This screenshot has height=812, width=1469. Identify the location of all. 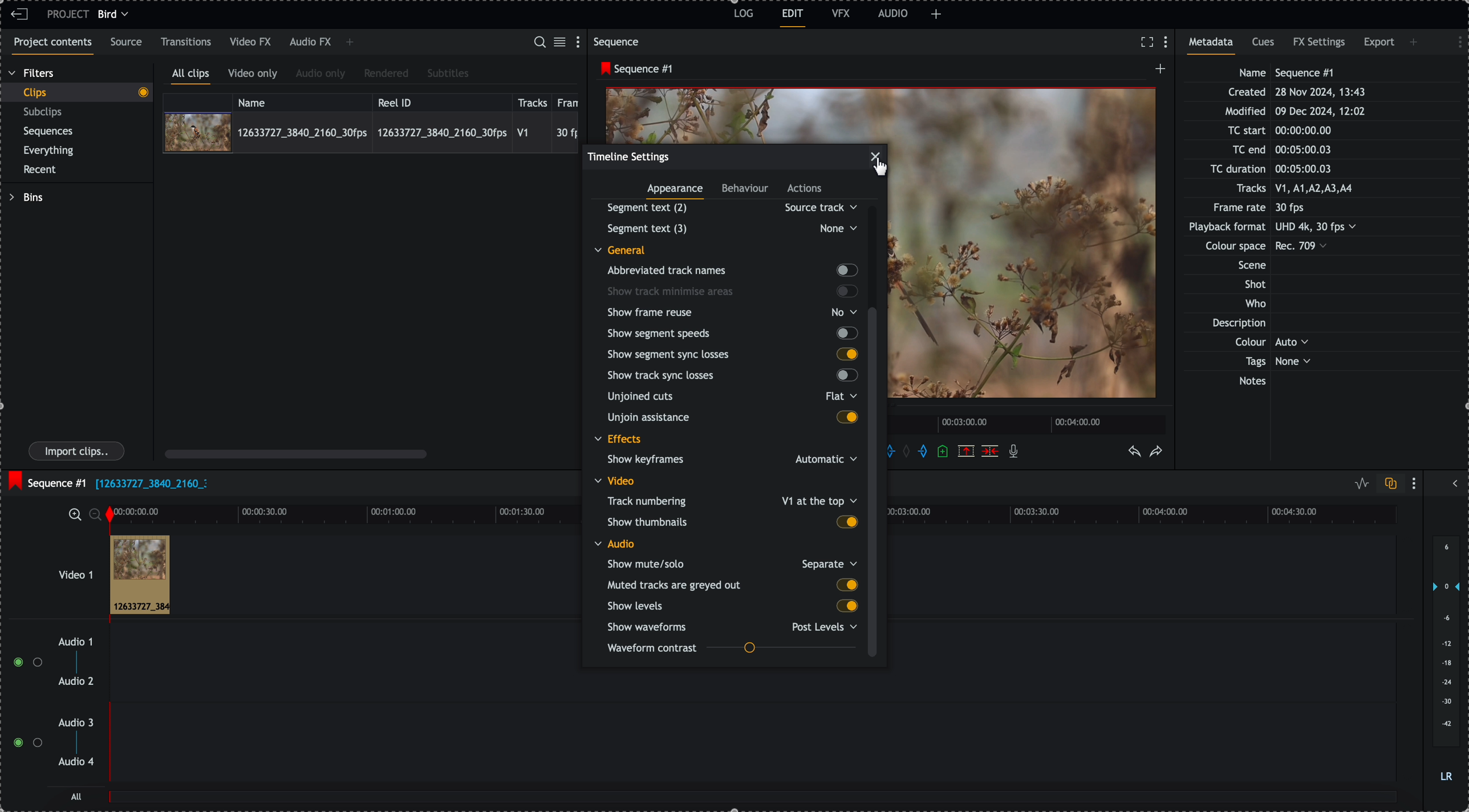
(754, 802).